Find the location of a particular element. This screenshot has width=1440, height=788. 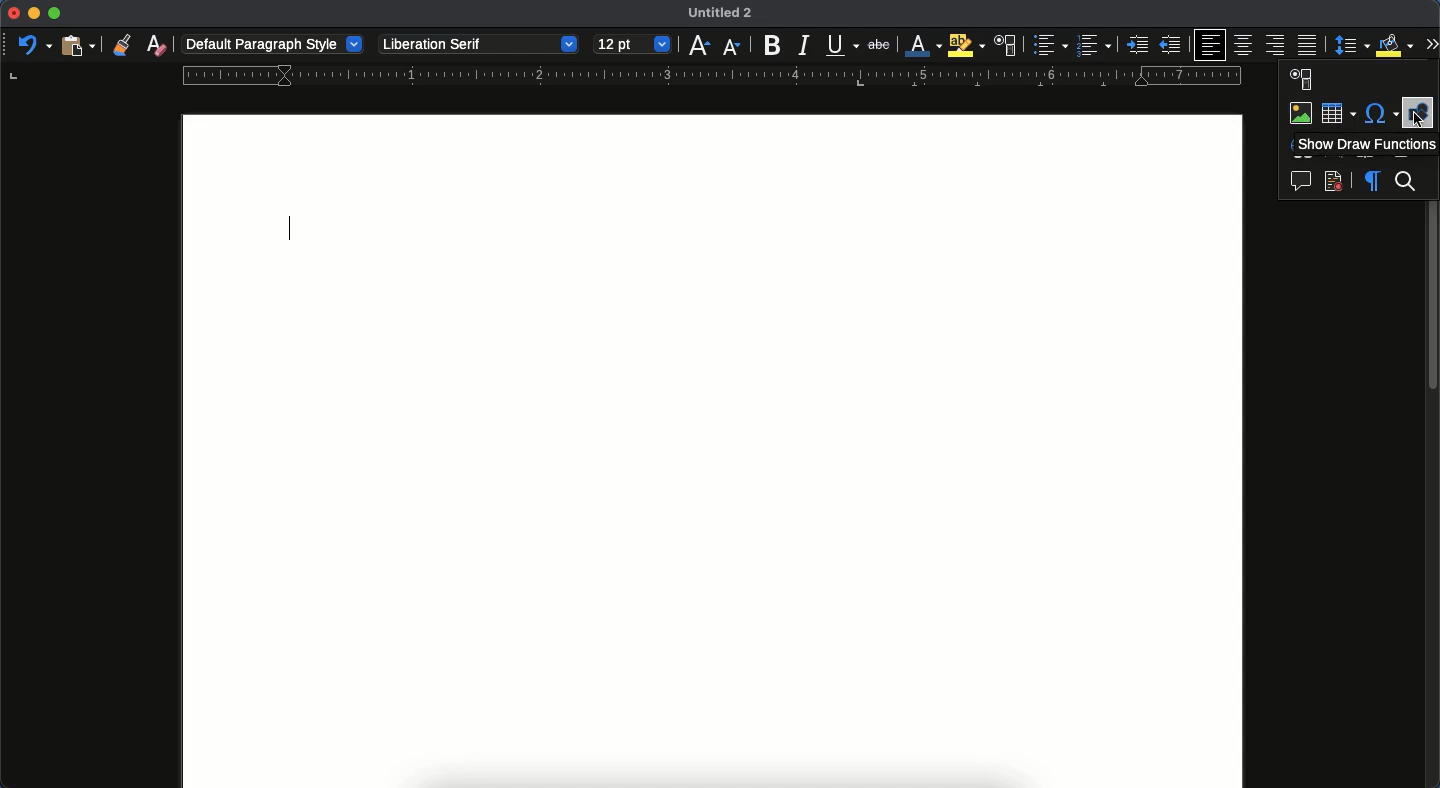

left align is located at coordinates (1210, 44).